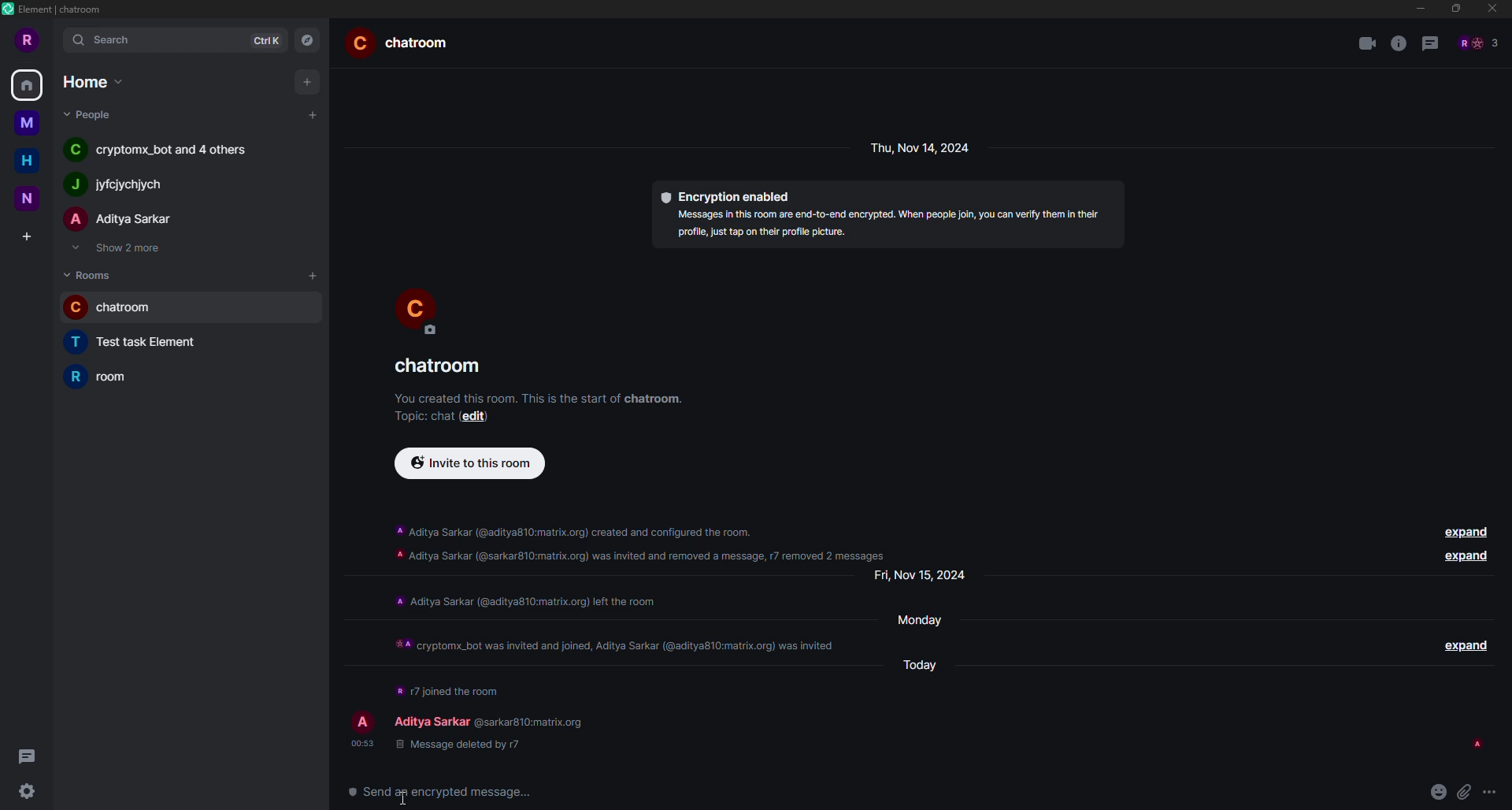  Describe the element at coordinates (361, 722) in the screenshot. I see `profile` at that location.